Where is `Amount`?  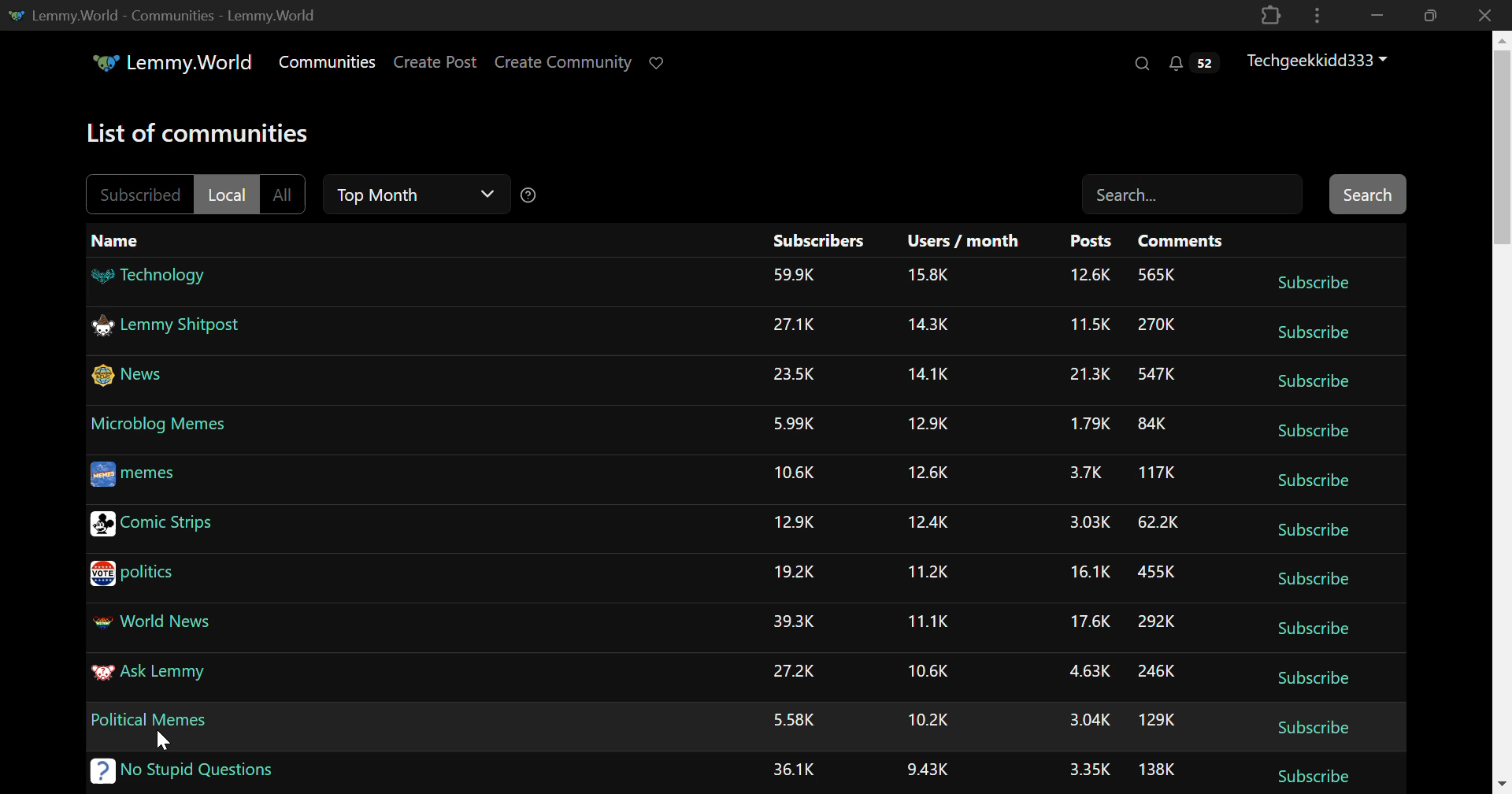
Amount is located at coordinates (795, 277).